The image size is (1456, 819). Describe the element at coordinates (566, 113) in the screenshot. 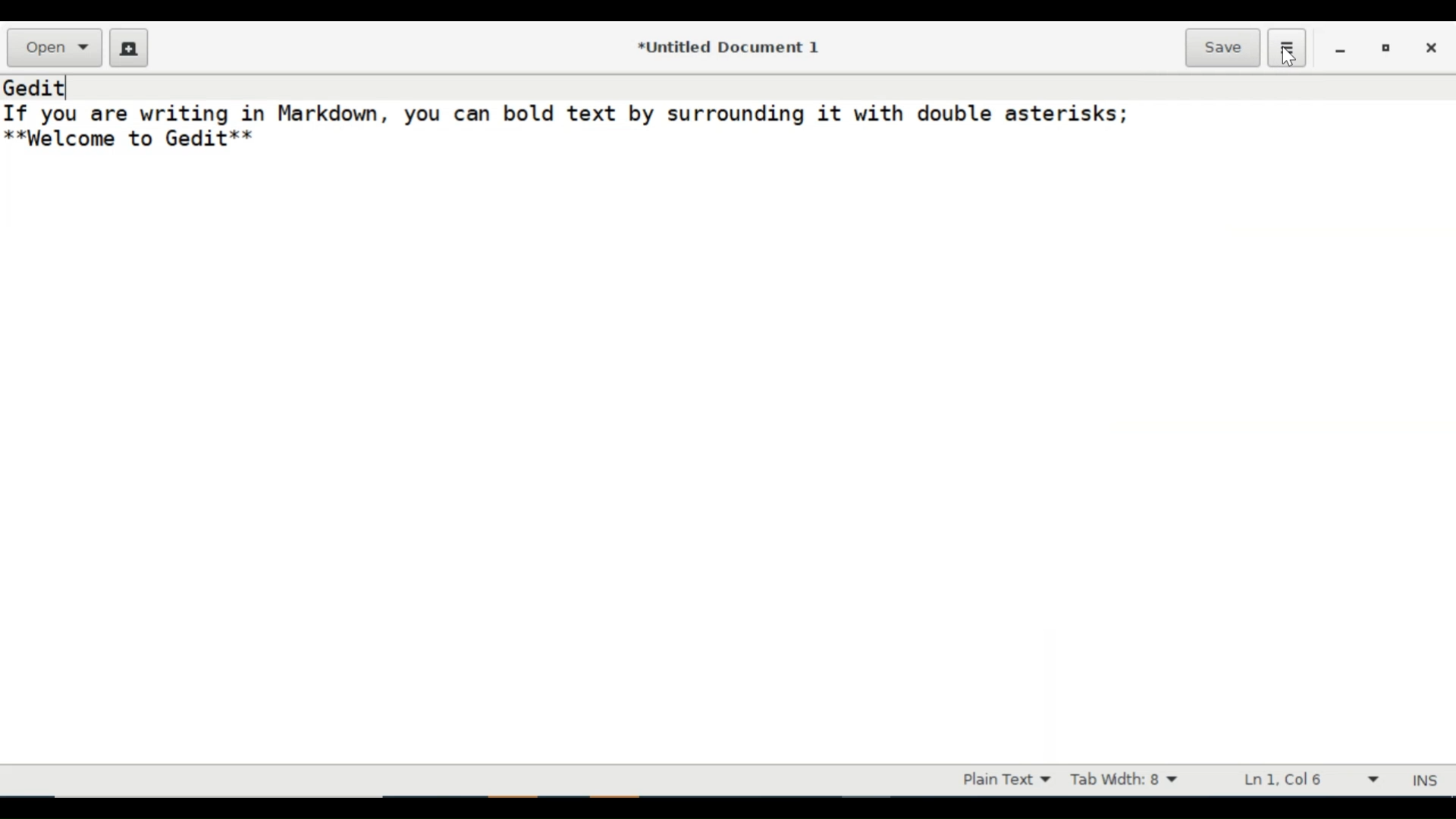

I see `If you are writing in Markdown, you can bold text by surrounding it with double asterisks;` at that location.